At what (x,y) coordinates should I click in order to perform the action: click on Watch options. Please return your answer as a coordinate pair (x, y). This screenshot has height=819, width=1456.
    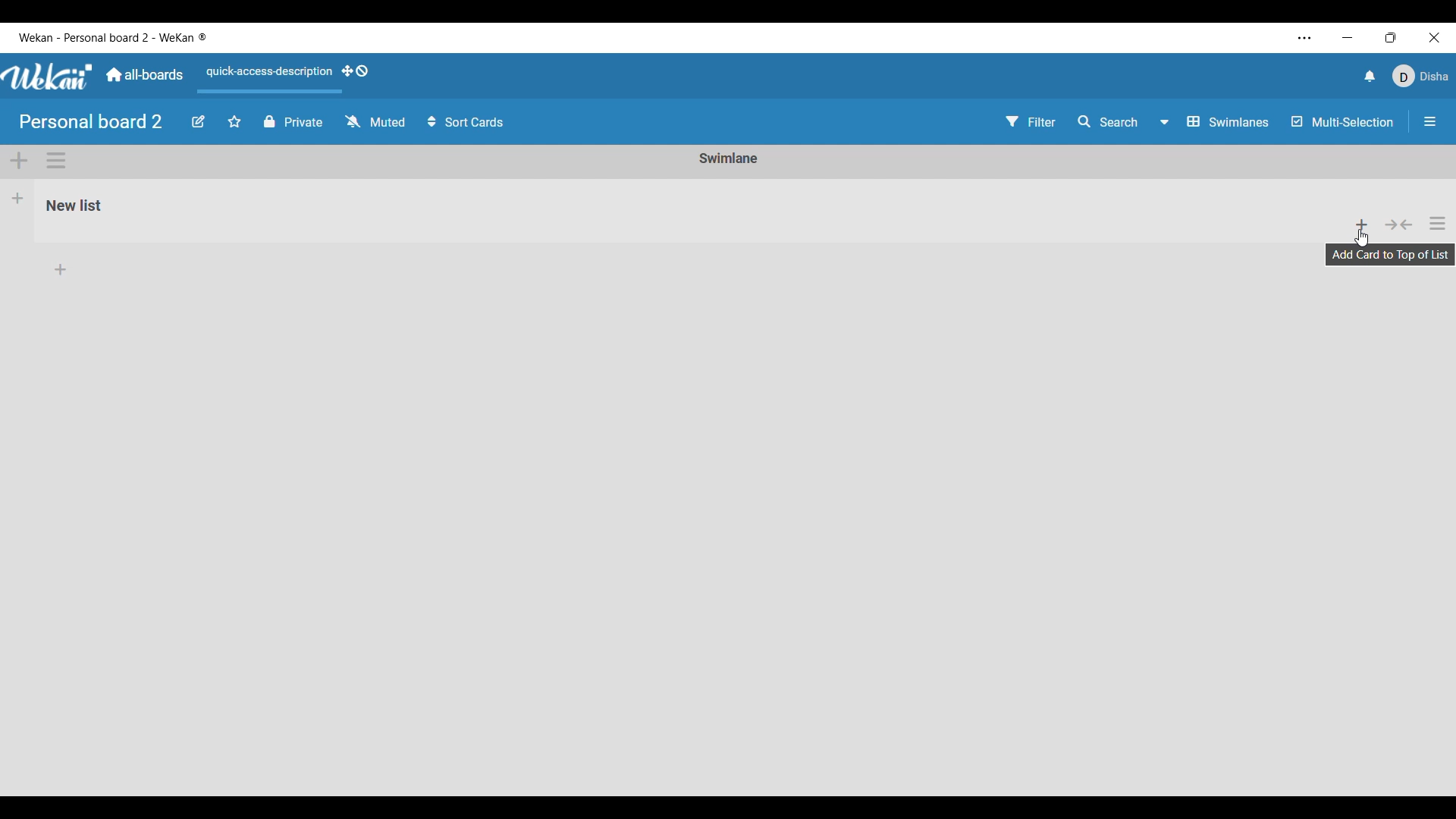
    Looking at the image, I should click on (375, 121).